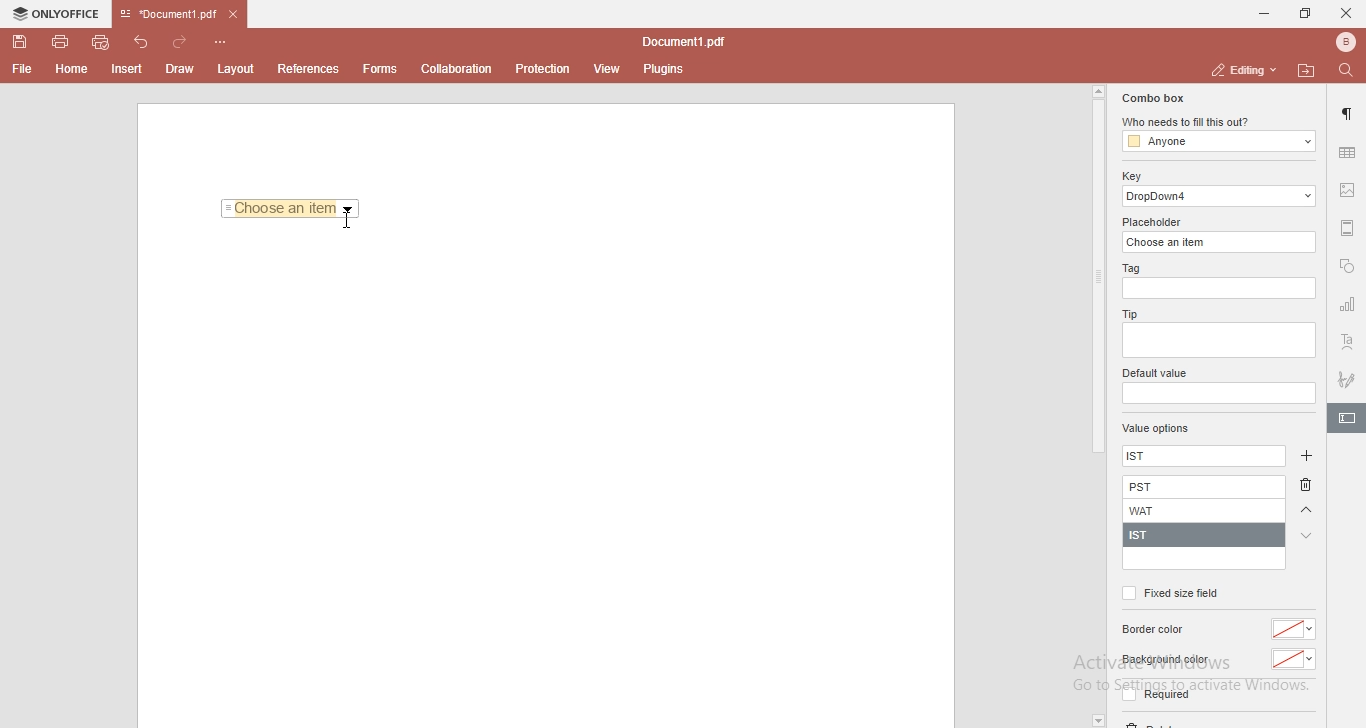 This screenshot has width=1366, height=728. I want to click on collaboration, so click(461, 67).